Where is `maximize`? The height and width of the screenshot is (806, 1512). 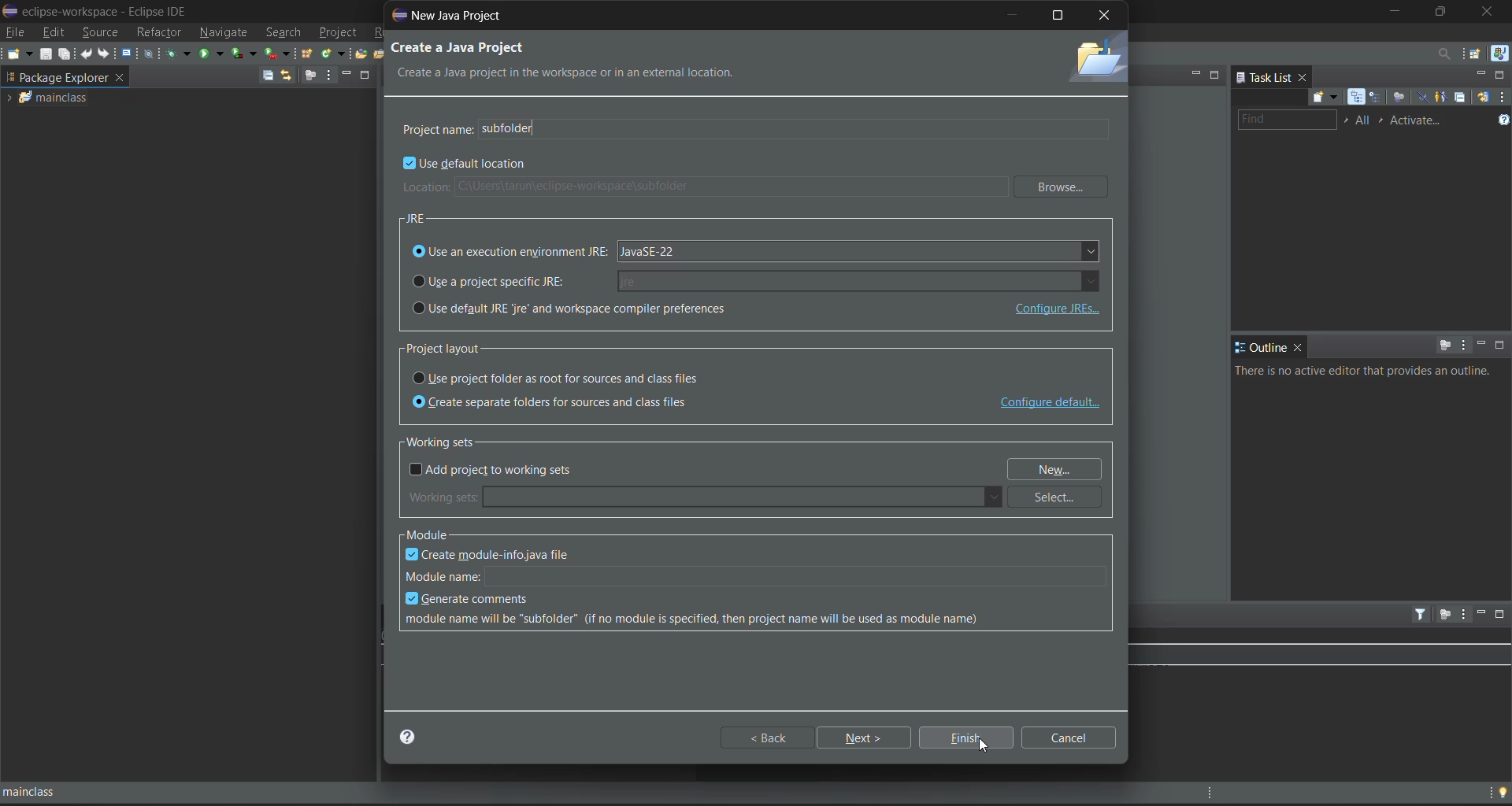
maximize is located at coordinates (1501, 345).